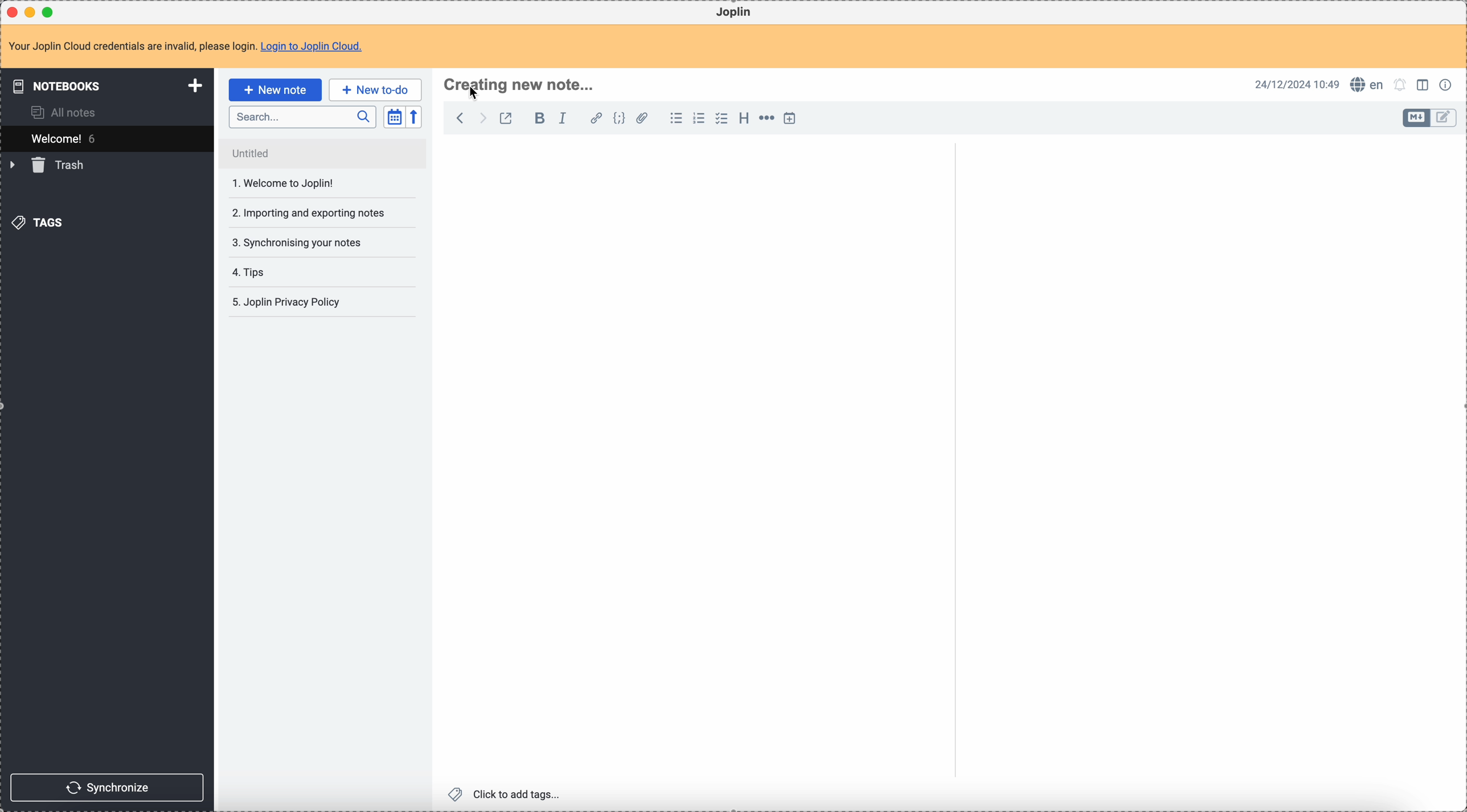  What do you see at coordinates (676, 119) in the screenshot?
I see `bulleted list` at bounding box center [676, 119].